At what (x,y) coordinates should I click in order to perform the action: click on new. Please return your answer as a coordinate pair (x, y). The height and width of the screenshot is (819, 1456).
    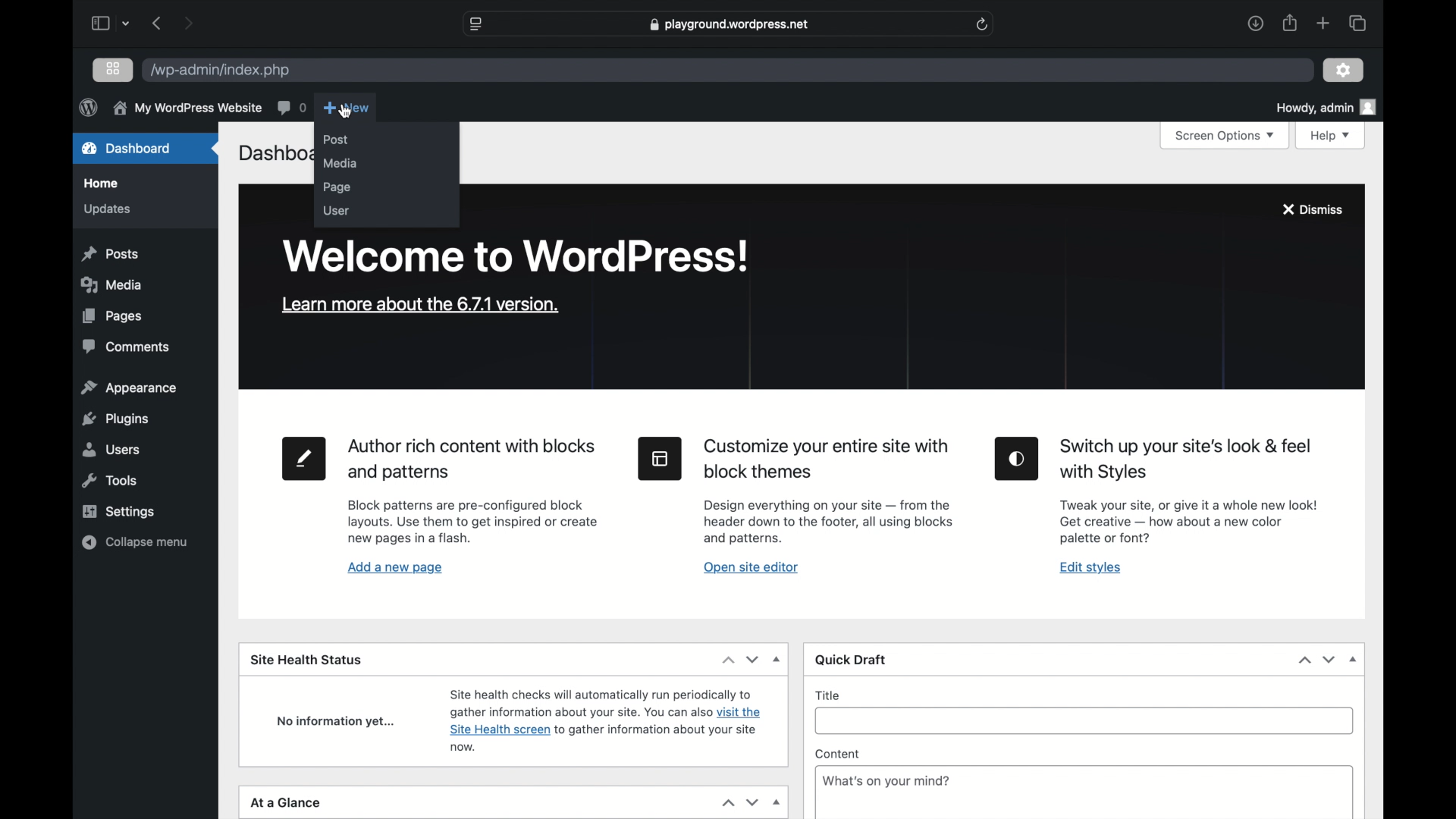
    Looking at the image, I should click on (346, 107).